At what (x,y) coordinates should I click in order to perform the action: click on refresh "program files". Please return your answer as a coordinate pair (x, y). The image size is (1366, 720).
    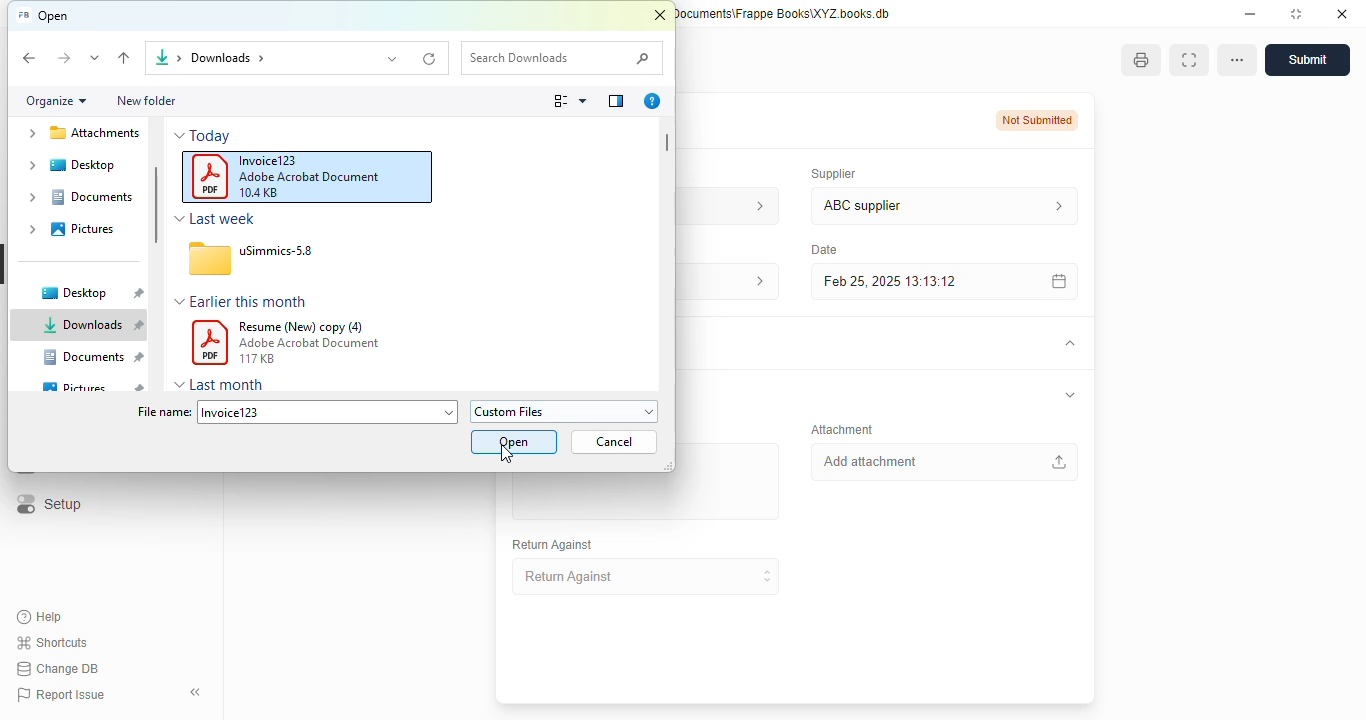
    Looking at the image, I should click on (431, 58).